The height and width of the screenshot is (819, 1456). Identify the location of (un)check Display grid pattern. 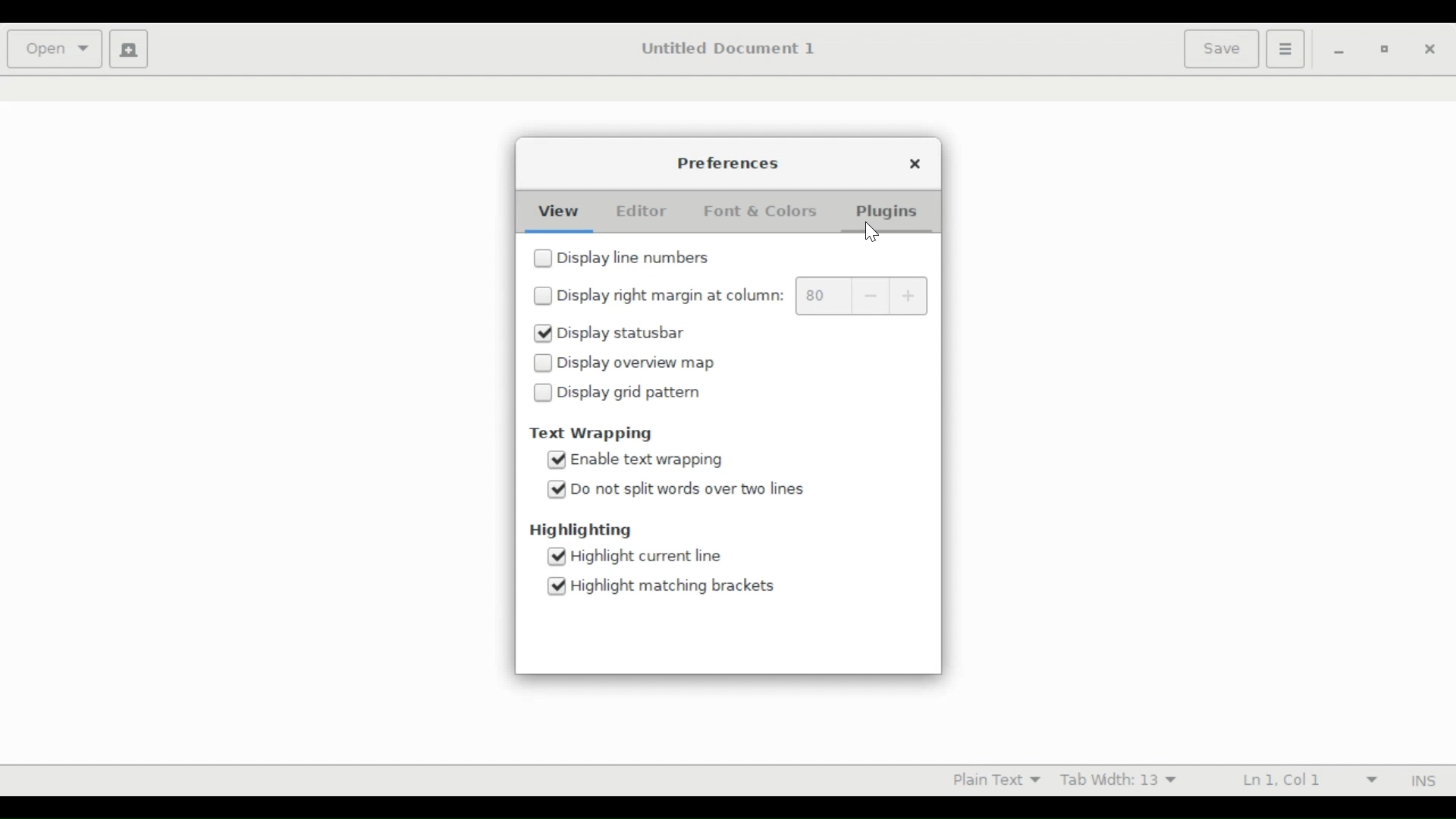
(634, 393).